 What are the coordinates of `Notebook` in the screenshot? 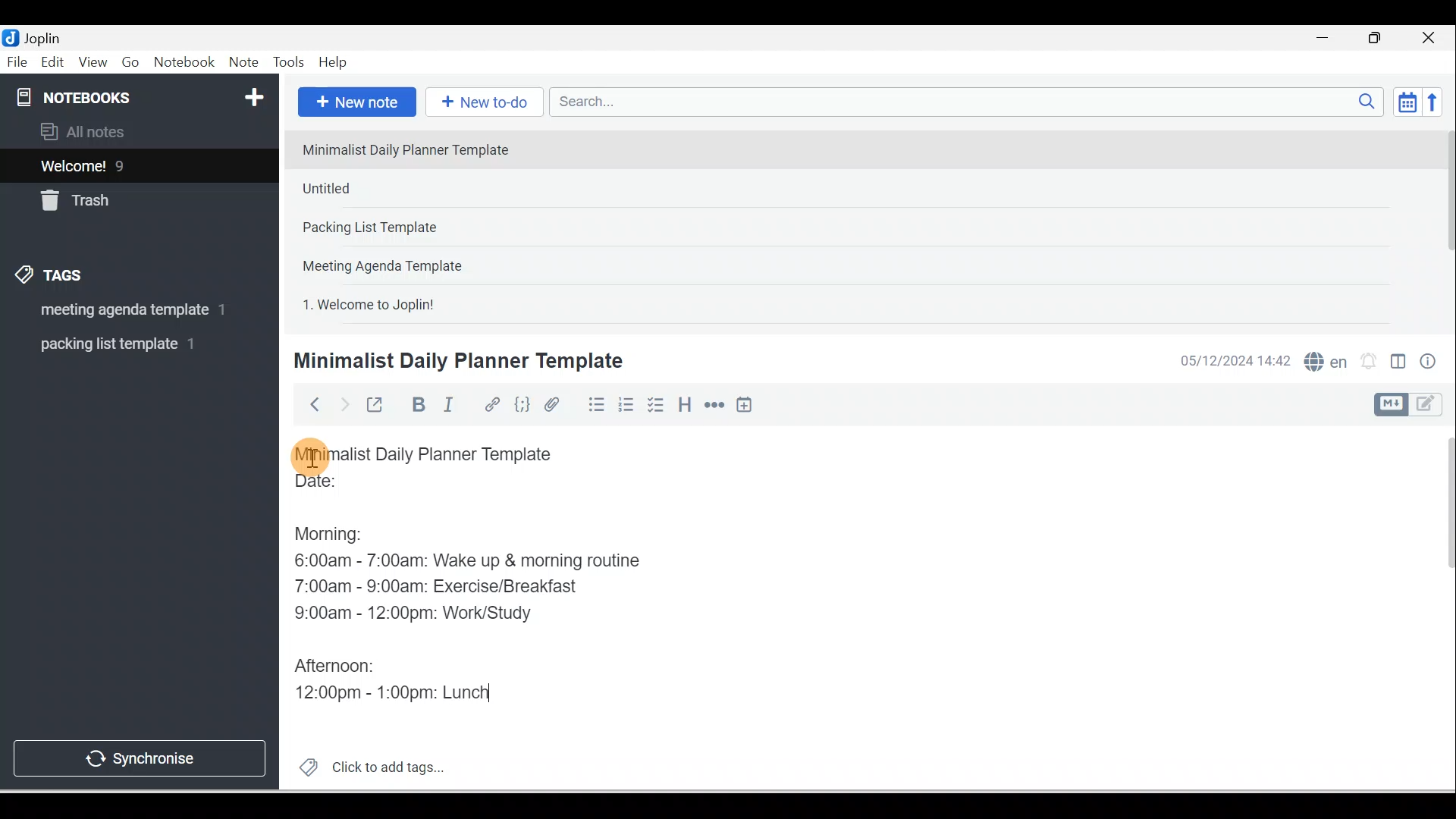 It's located at (184, 63).